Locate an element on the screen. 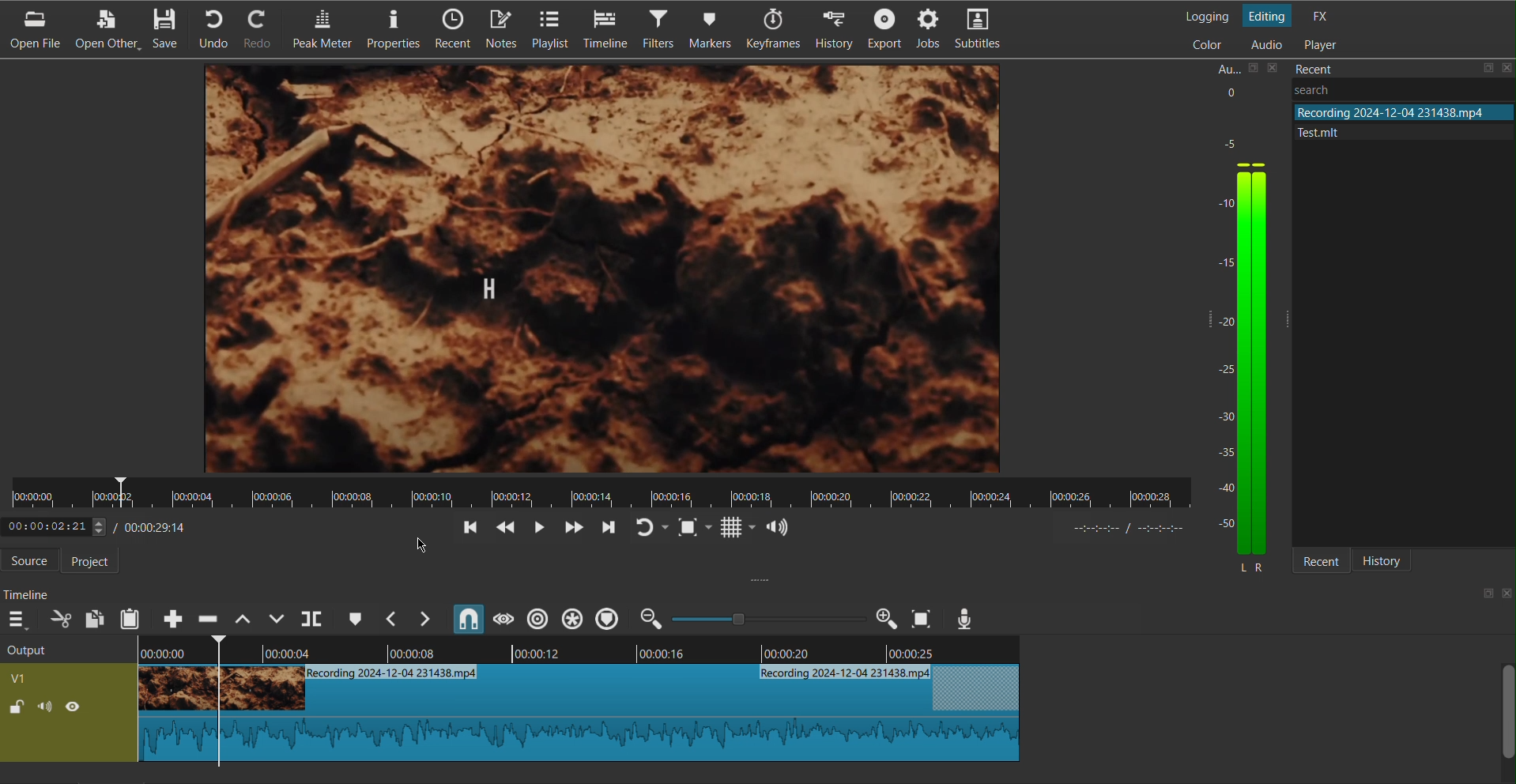  Jobs is located at coordinates (933, 32).